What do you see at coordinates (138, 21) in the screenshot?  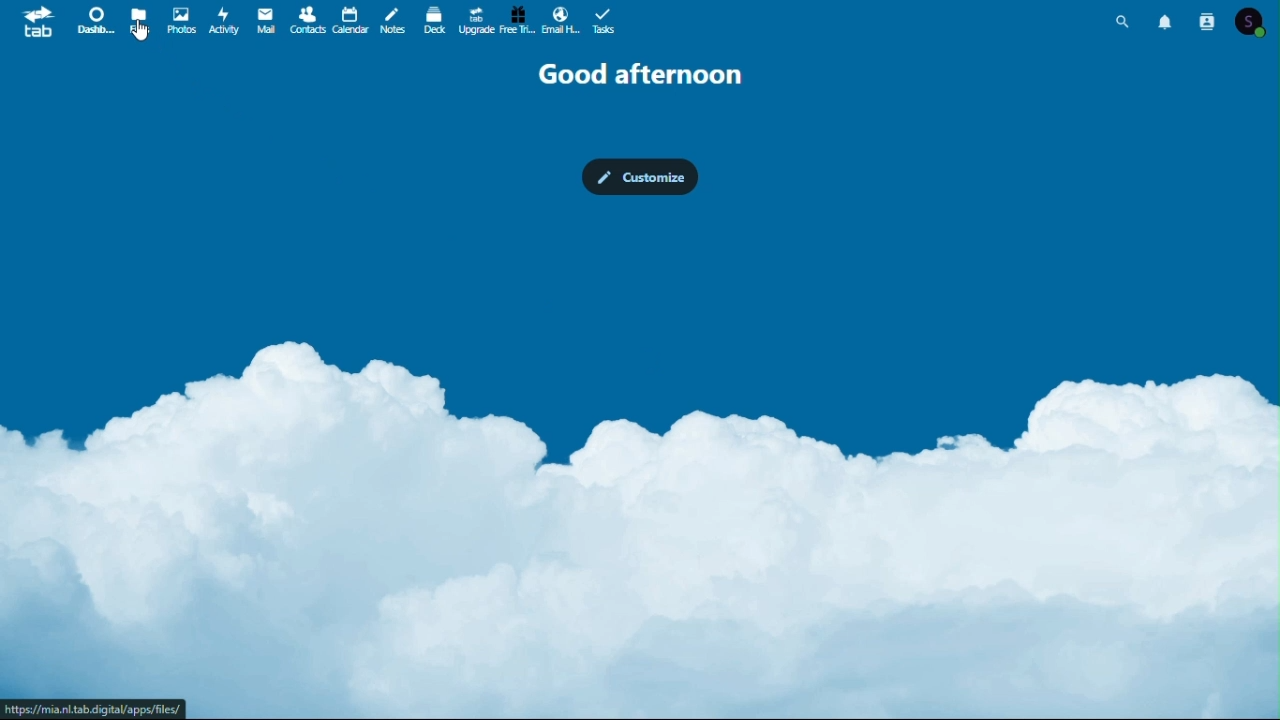 I see `files` at bounding box center [138, 21].